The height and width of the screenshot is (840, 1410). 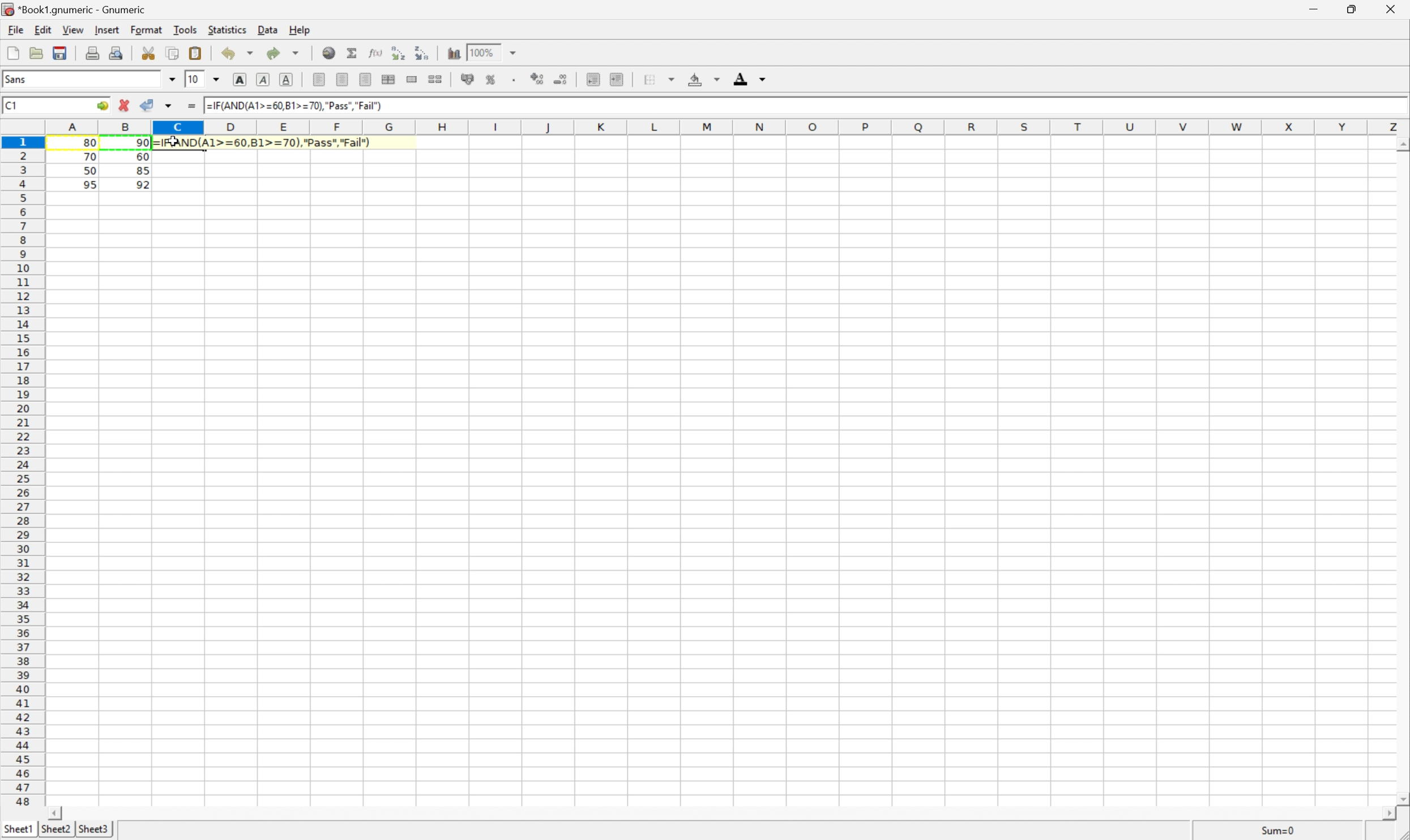 What do you see at coordinates (1392, 8) in the screenshot?
I see `Close` at bounding box center [1392, 8].